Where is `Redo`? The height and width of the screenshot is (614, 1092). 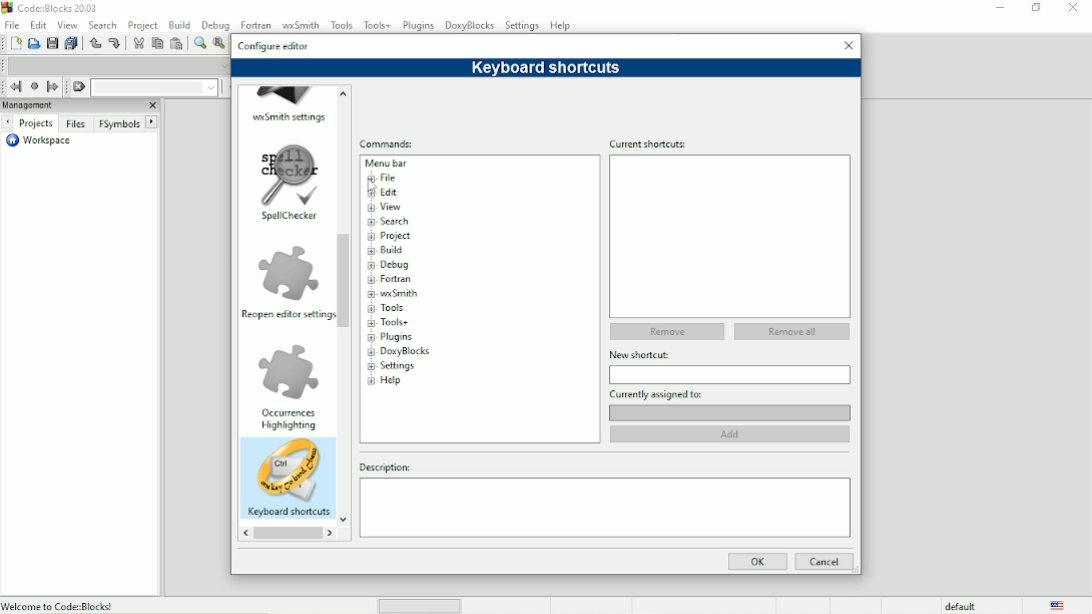
Redo is located at coordinates (117, 44).